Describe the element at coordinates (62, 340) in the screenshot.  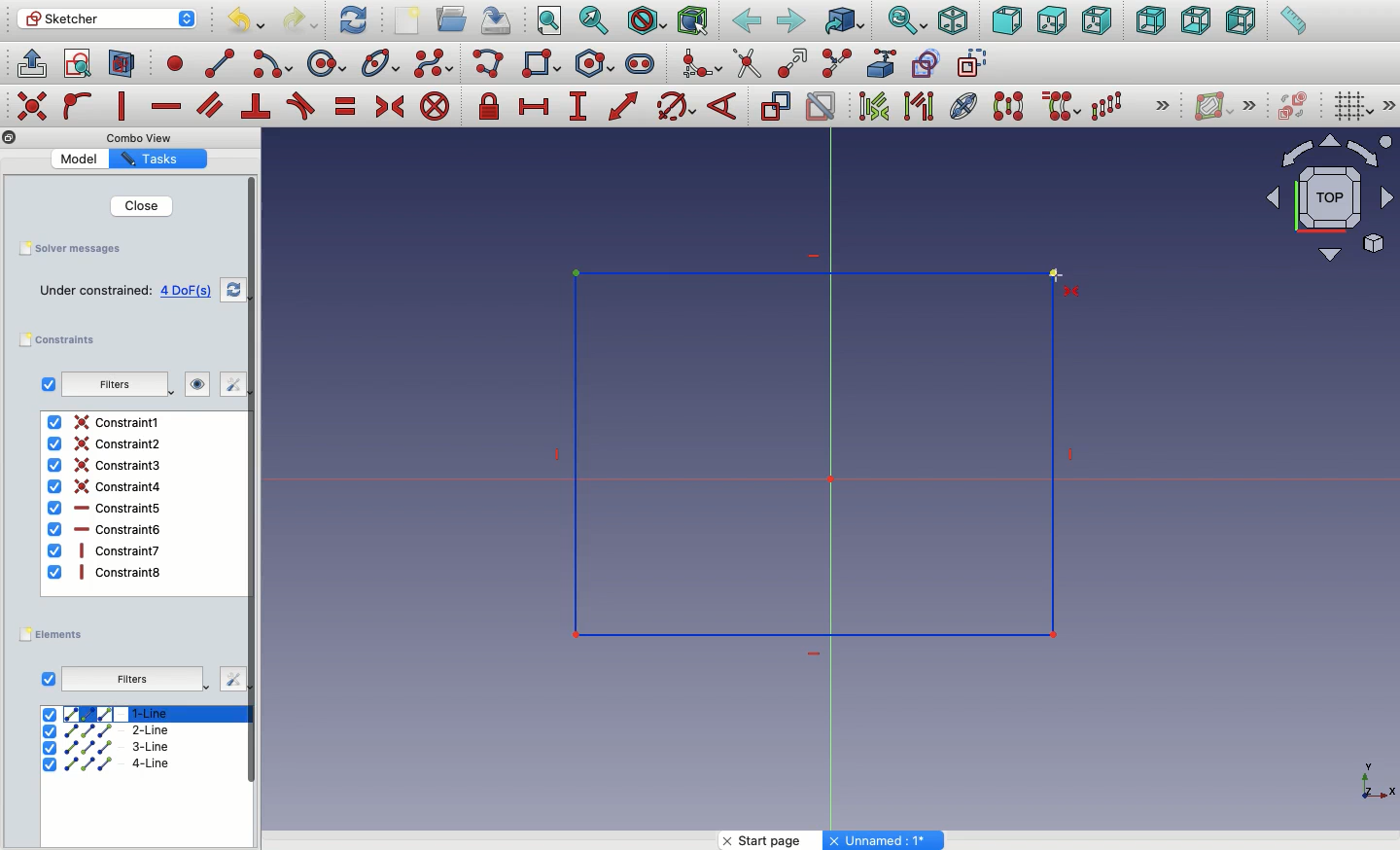
I see `constraints` at that location.